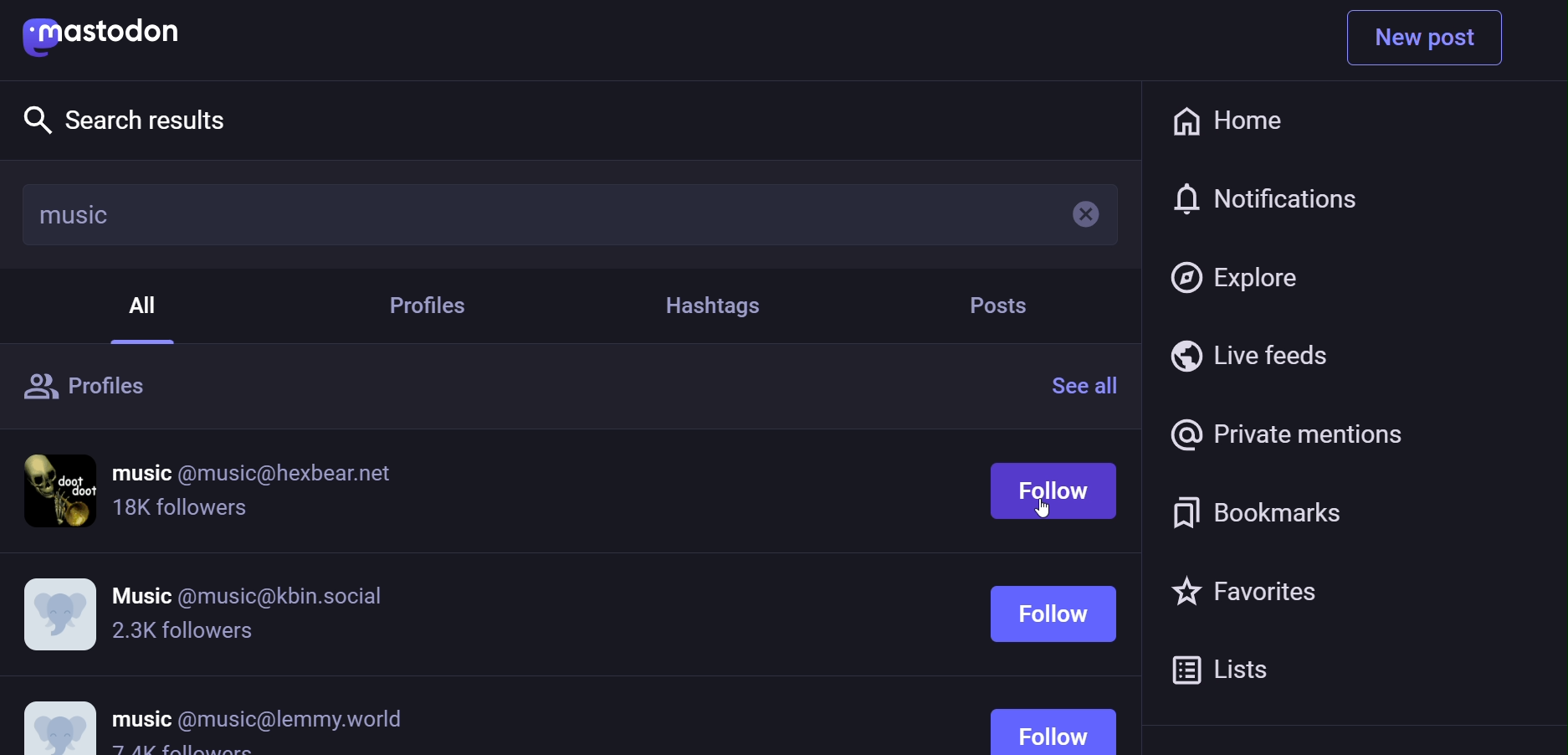 This screenshot has width=1568, height=755. I want to click on profiles, so click(436, 307).